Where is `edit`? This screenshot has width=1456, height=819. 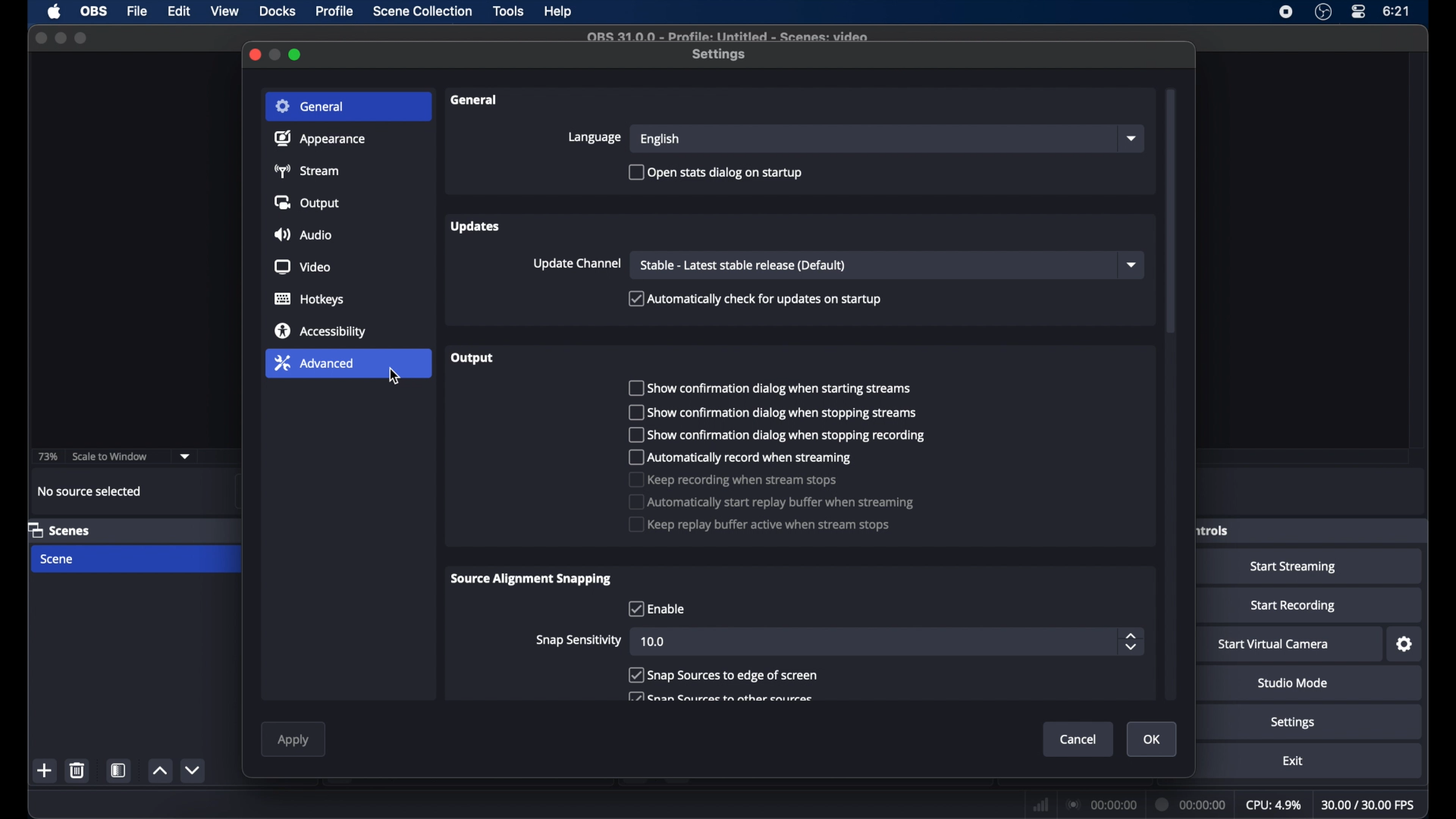
edit is located at coordinates (180, 12).